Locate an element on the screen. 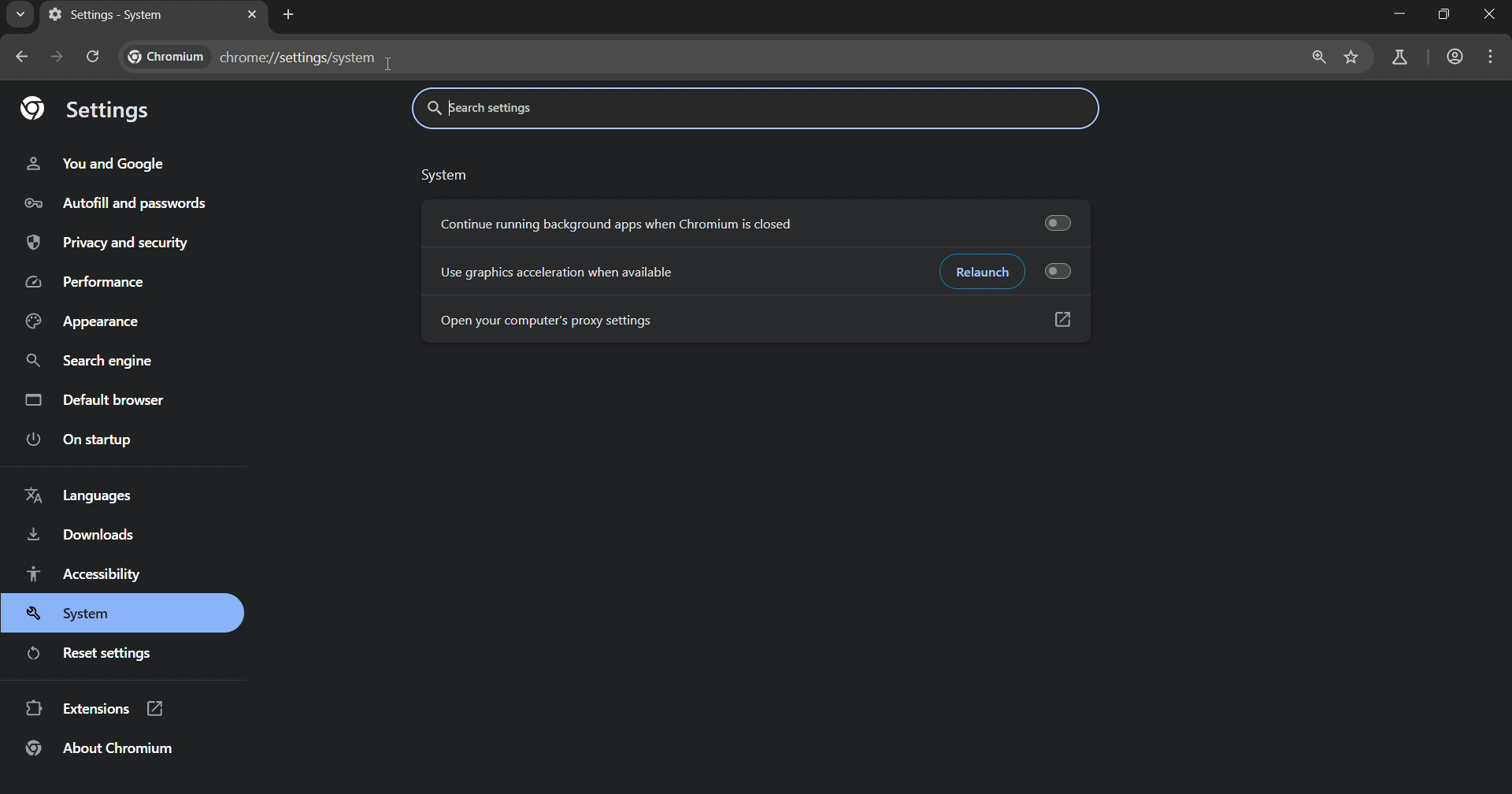  system is located at coordinates (443, 176).